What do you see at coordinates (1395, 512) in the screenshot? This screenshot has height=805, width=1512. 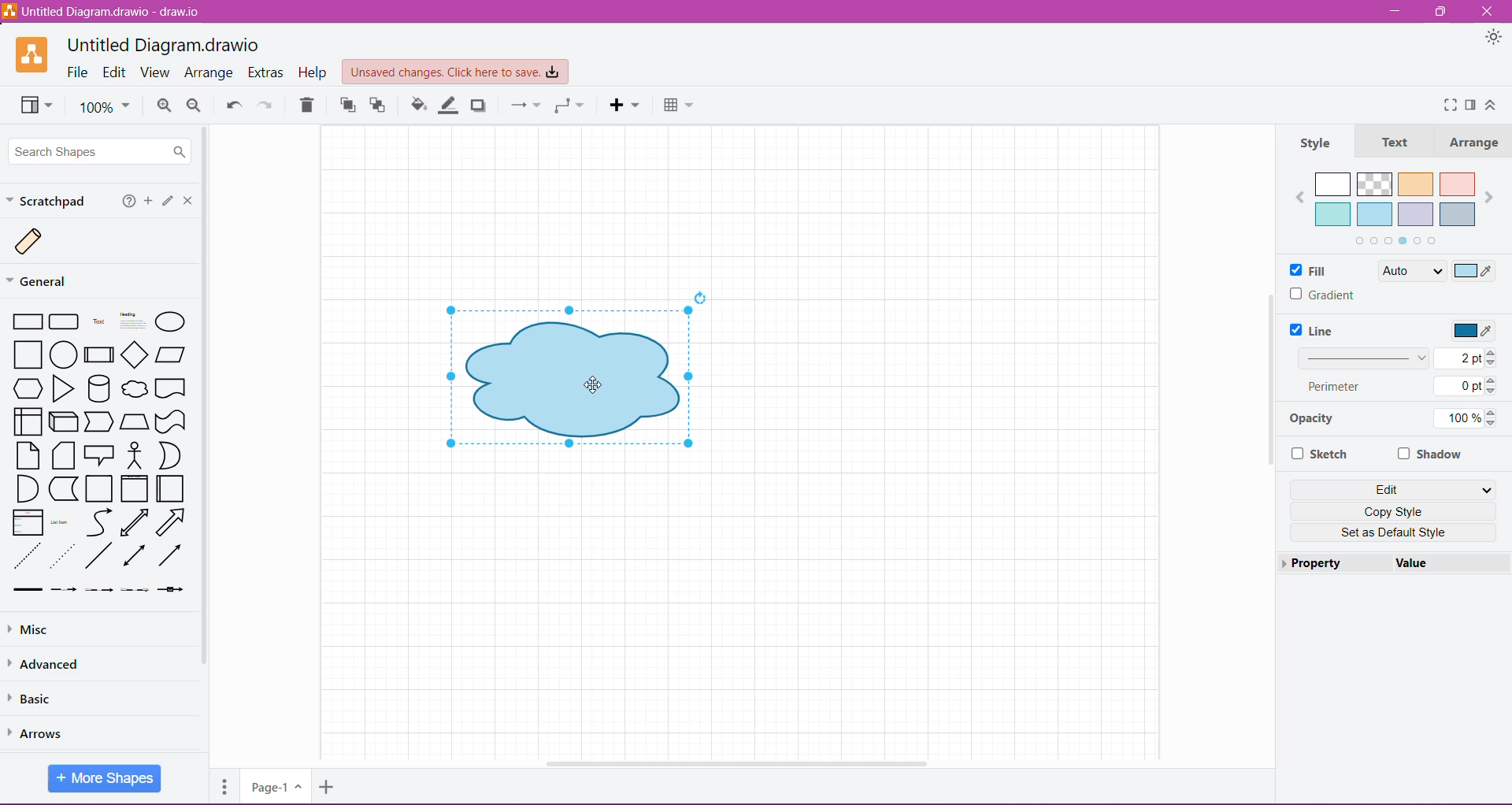 I see `Copy Style` at bounding box center [1395, 512].